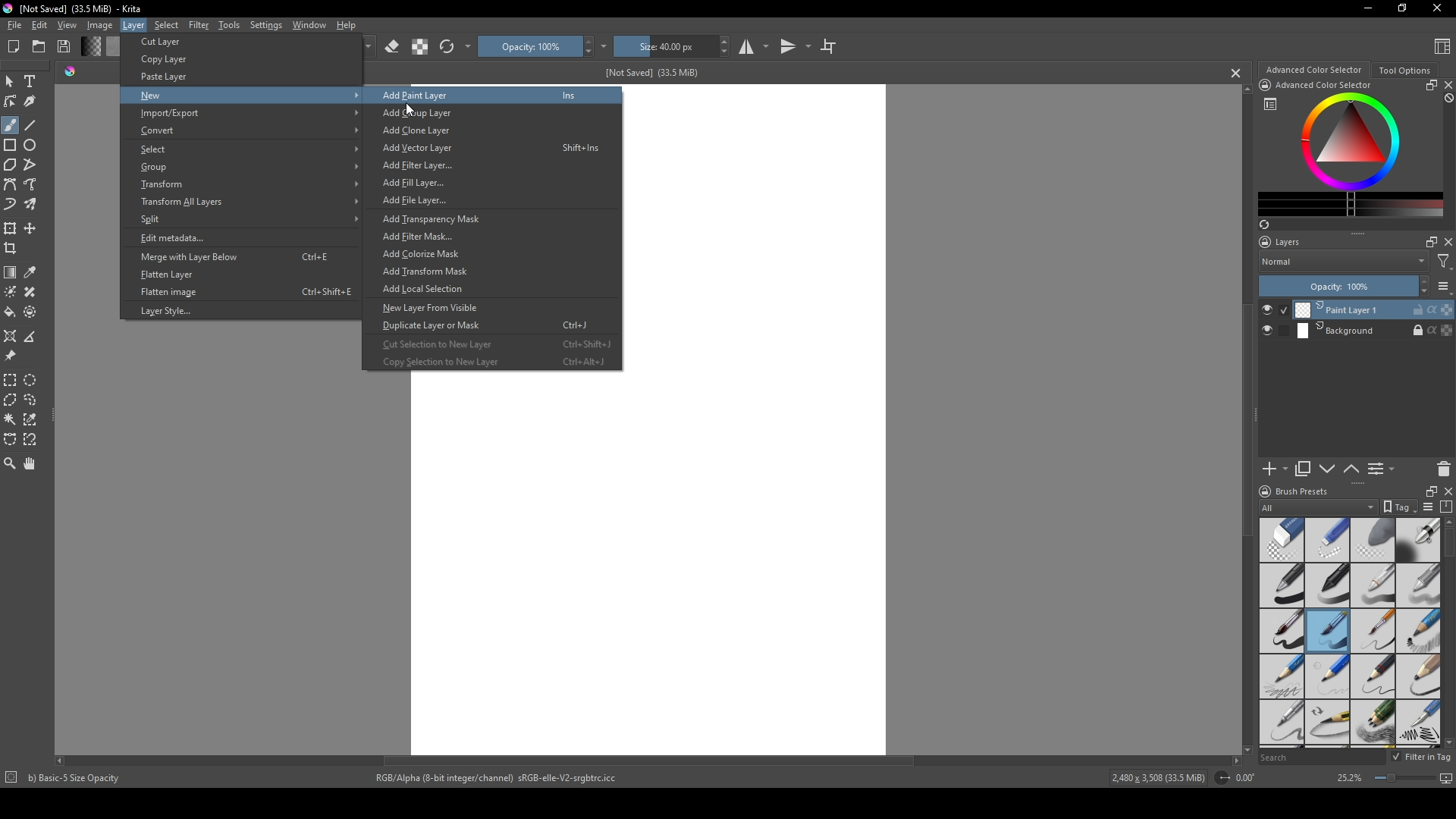 Image resolution: width=1456 pixels, height=819 pixels. I want to click on Merge with Layer Below, so click(238, 257).